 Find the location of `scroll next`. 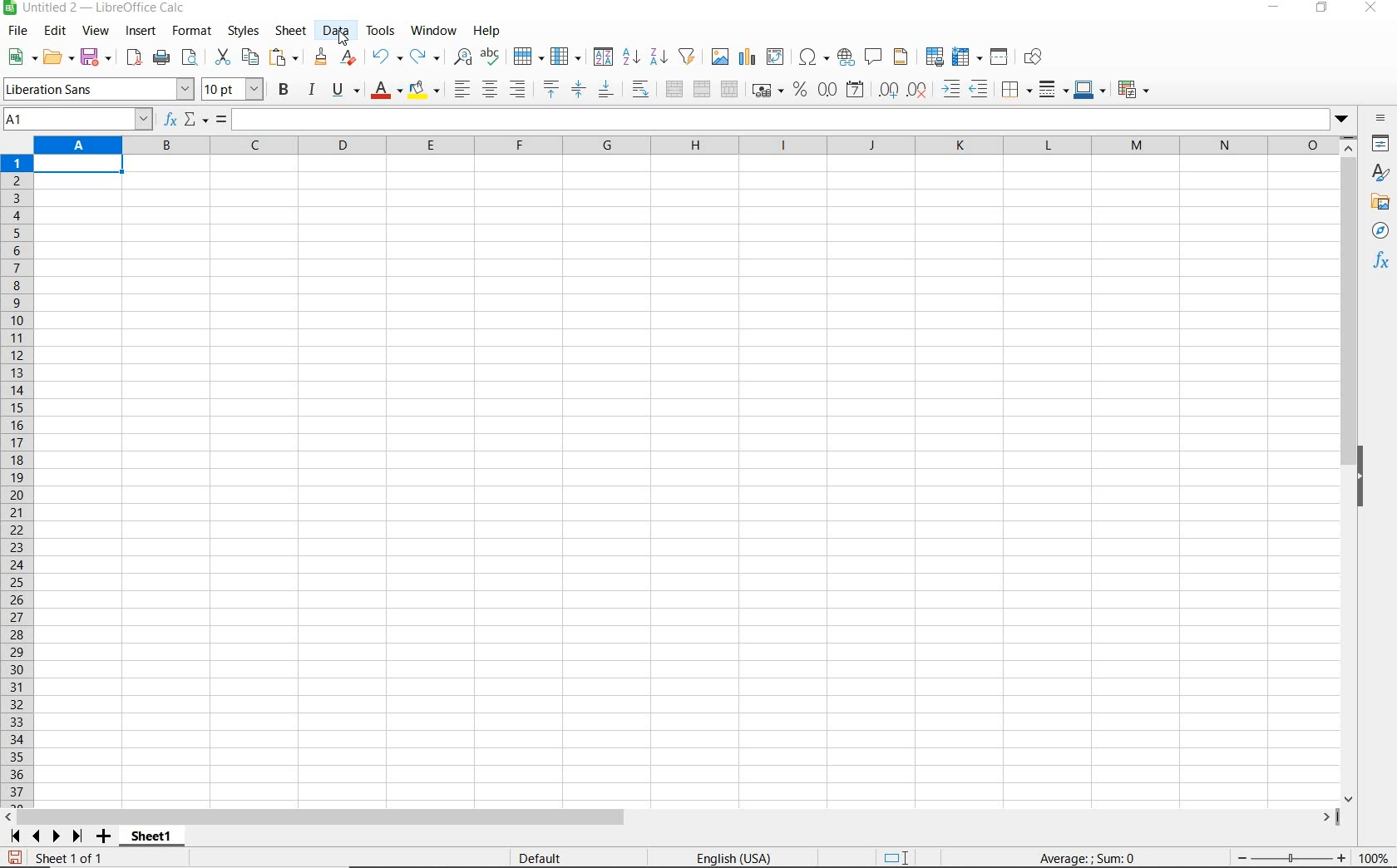

scroll next is located at coordinates (42, 836).